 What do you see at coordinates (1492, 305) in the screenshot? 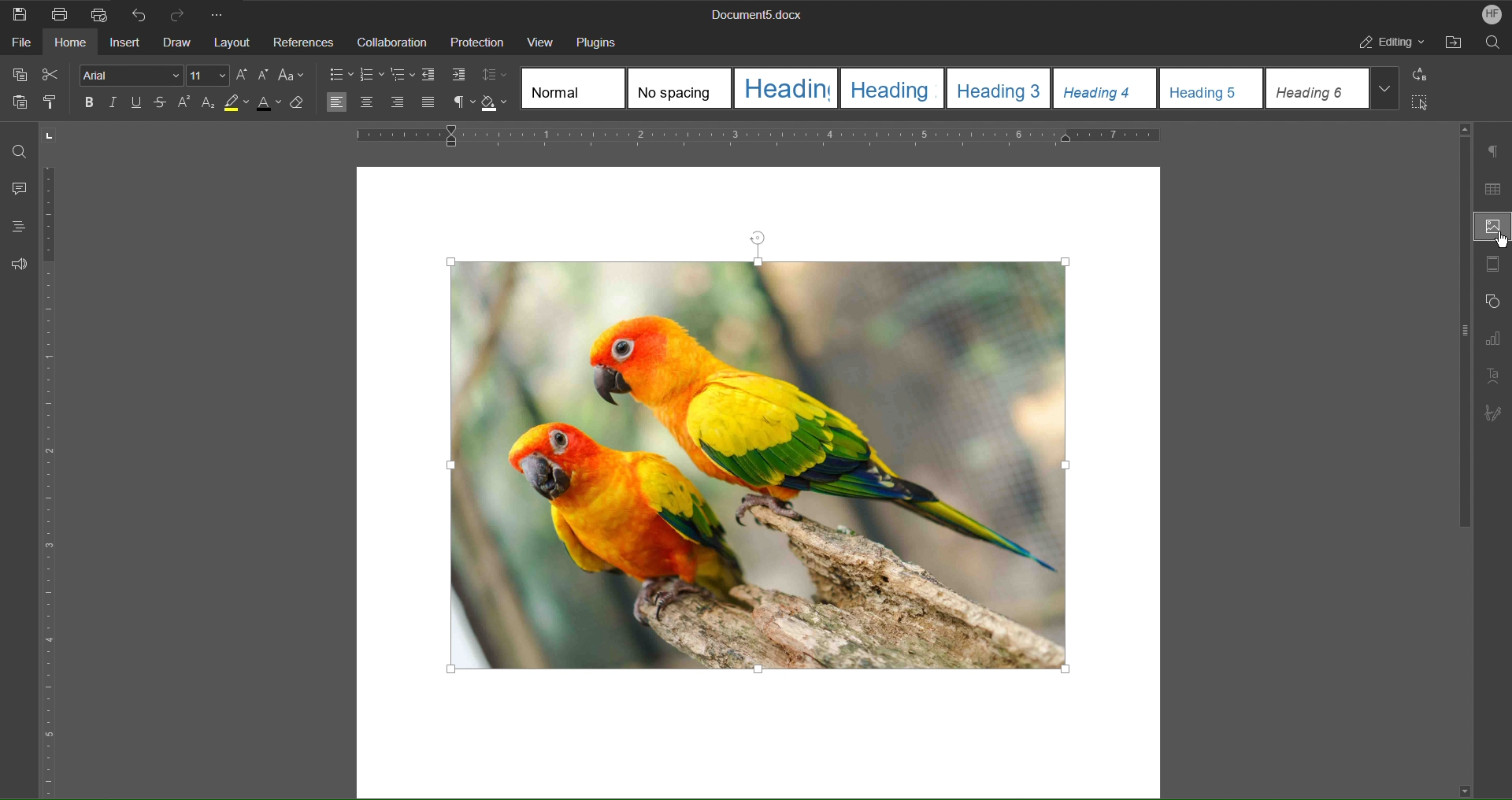
I see `Shape Settings` at bounding box center [1492, 305].